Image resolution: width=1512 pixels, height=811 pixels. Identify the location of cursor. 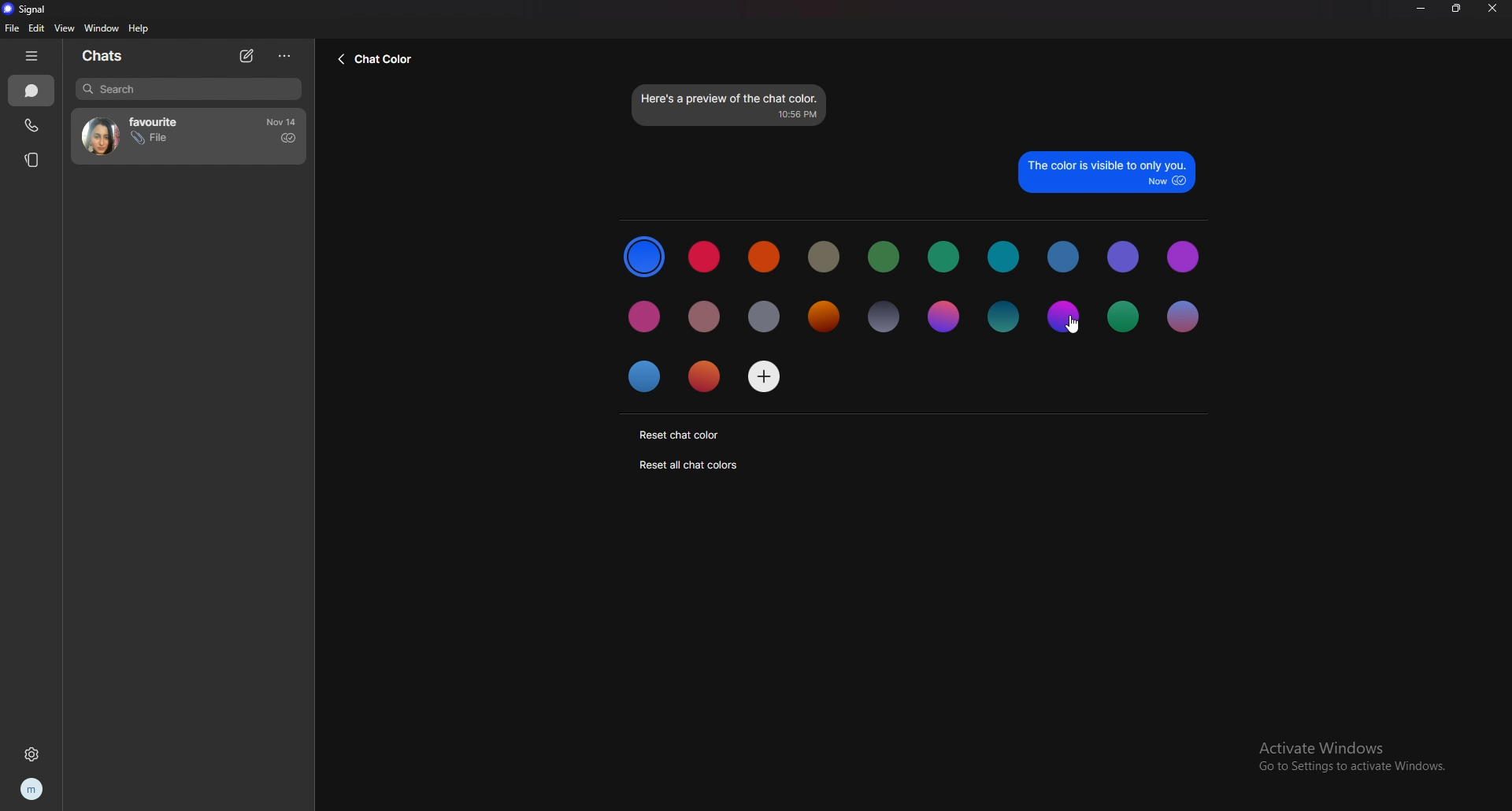
(1070, 326).